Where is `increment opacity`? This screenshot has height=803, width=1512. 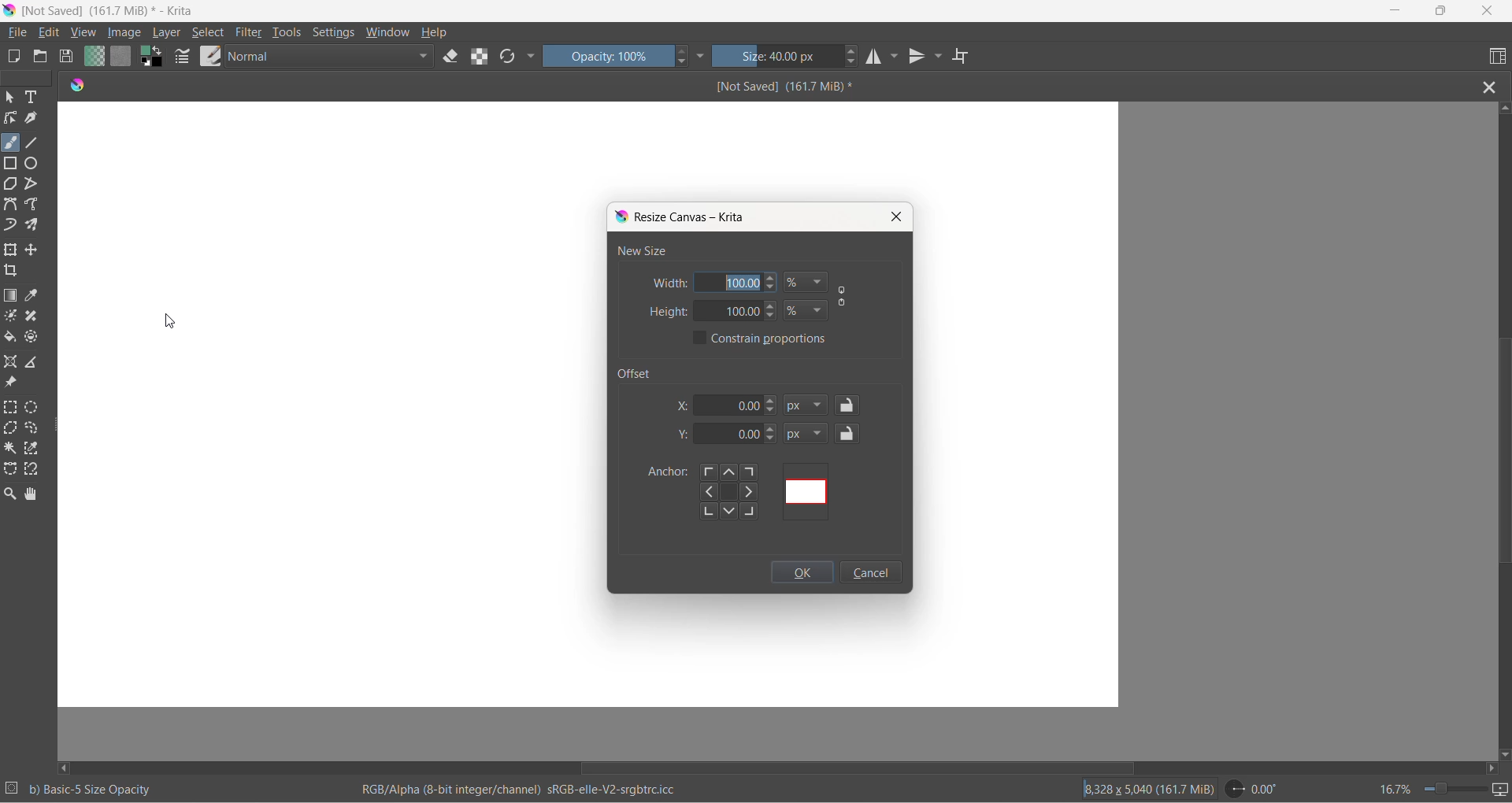 increment opacity is located at coordinates (683, 52).